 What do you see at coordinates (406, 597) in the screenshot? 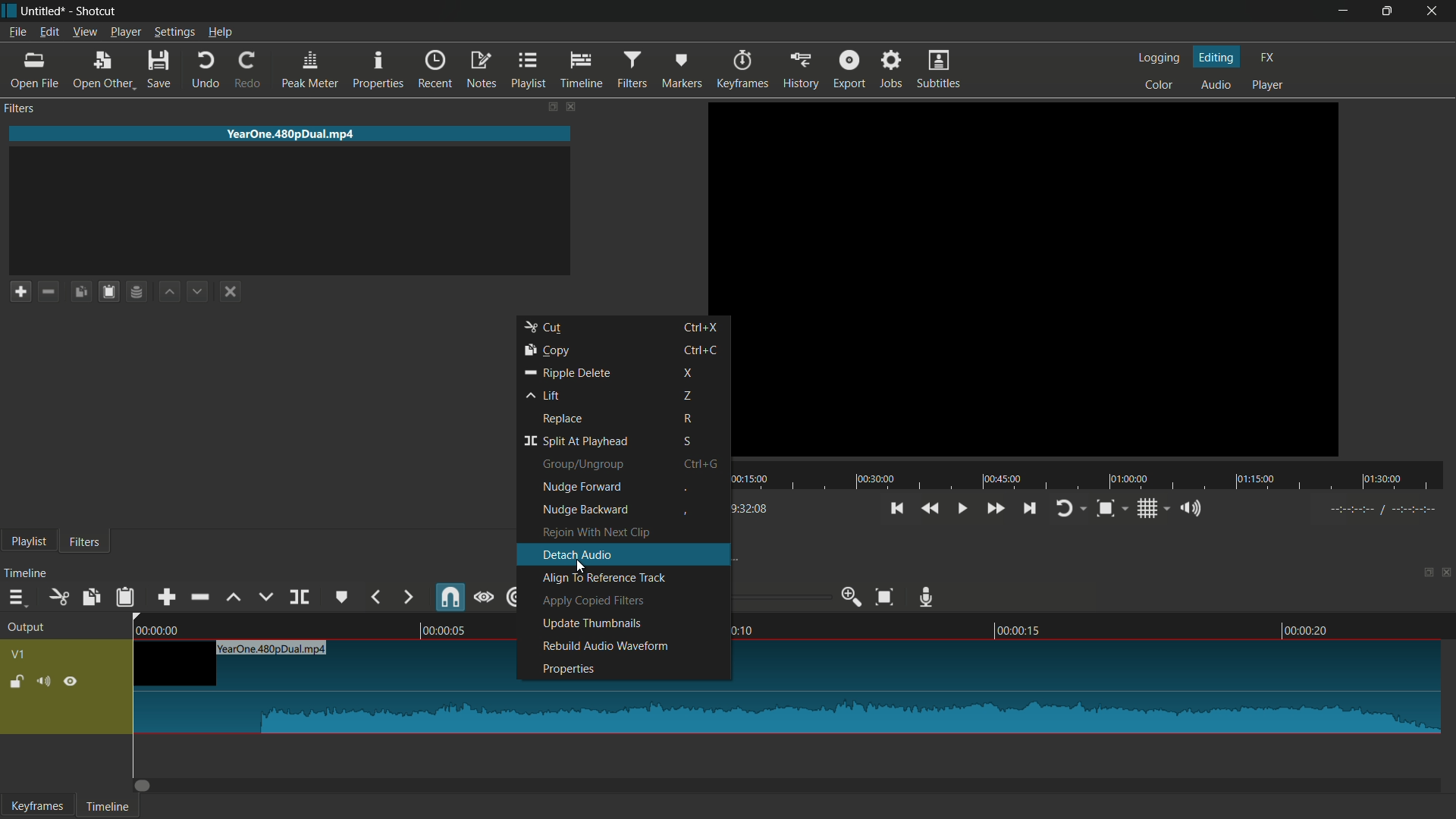
I see `next marker` at bounding box center [406, 597].